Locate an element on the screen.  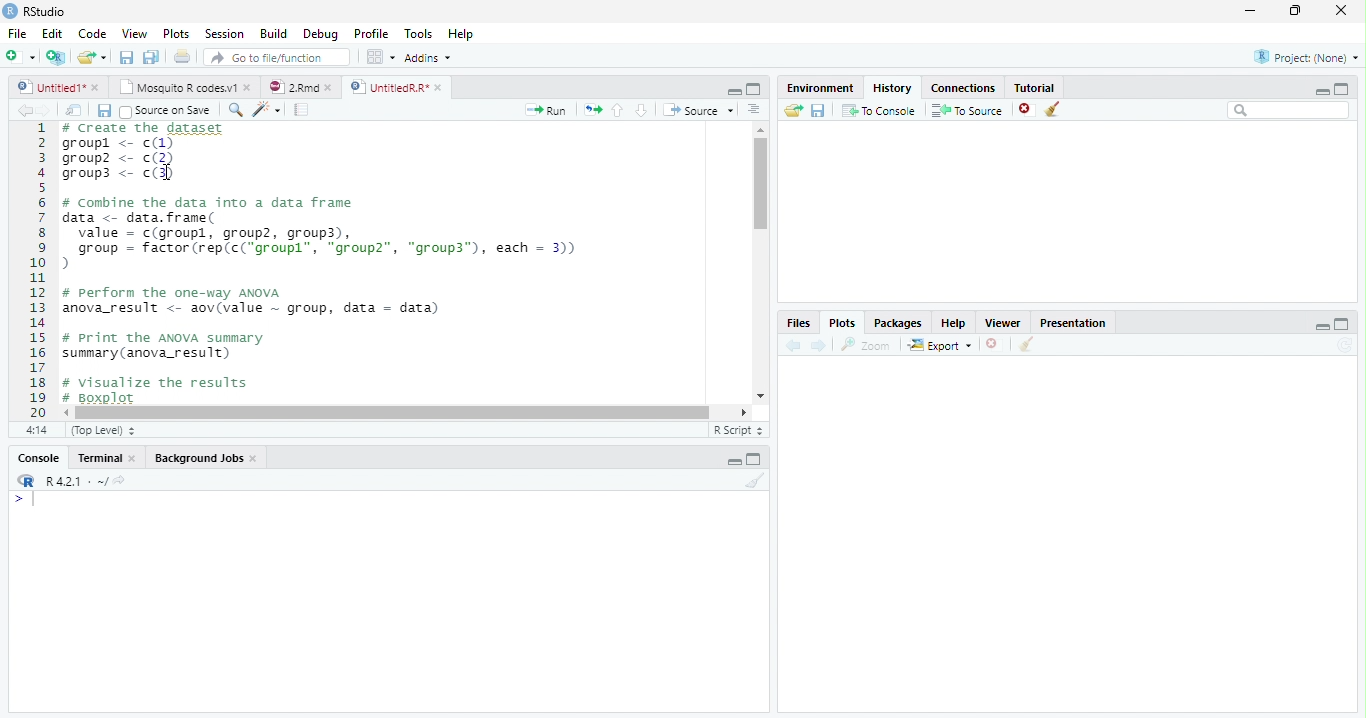
Delete is located at coordinates (993, 345).